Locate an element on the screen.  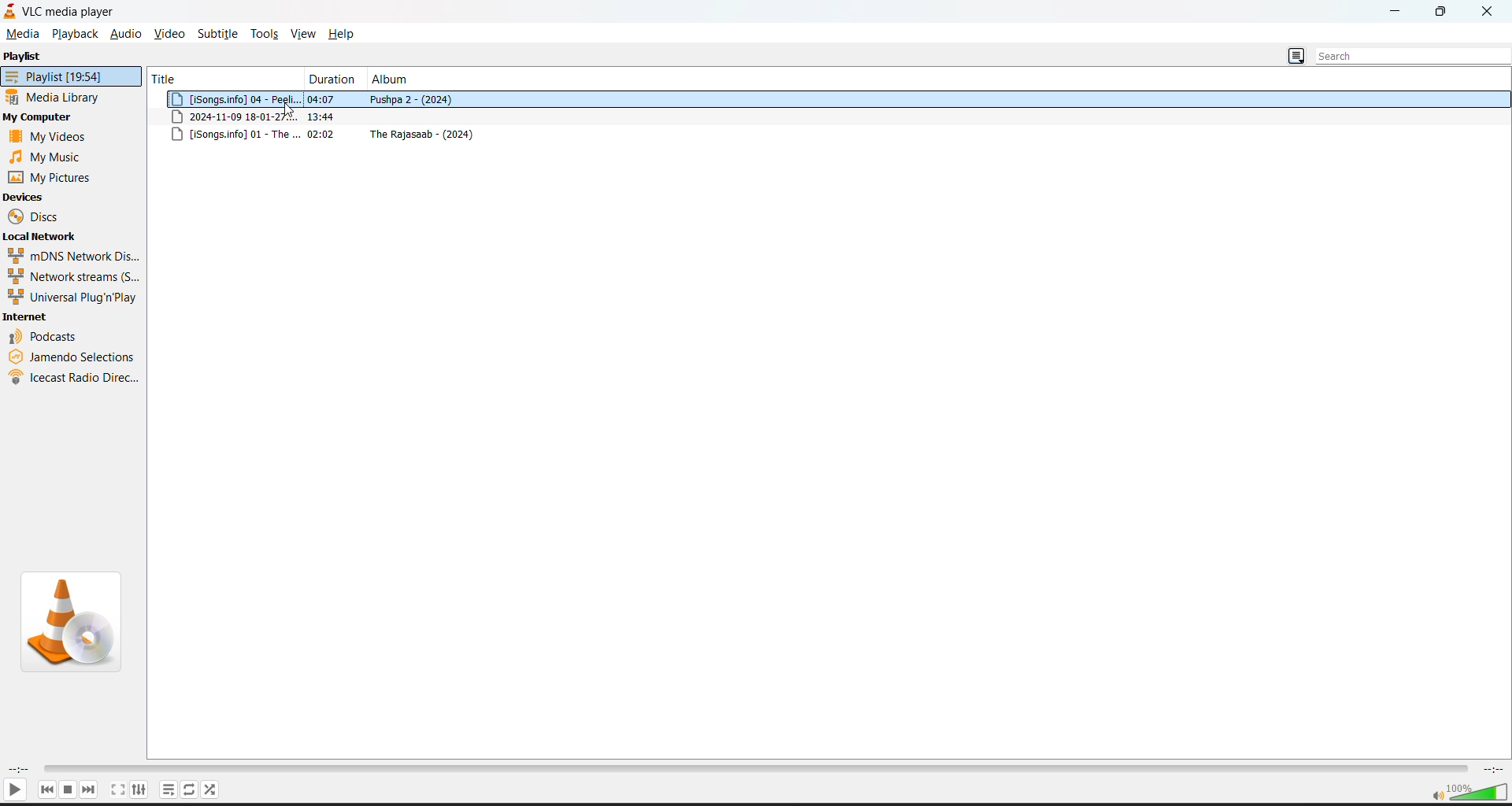
song is located at coordinates (834, 99).